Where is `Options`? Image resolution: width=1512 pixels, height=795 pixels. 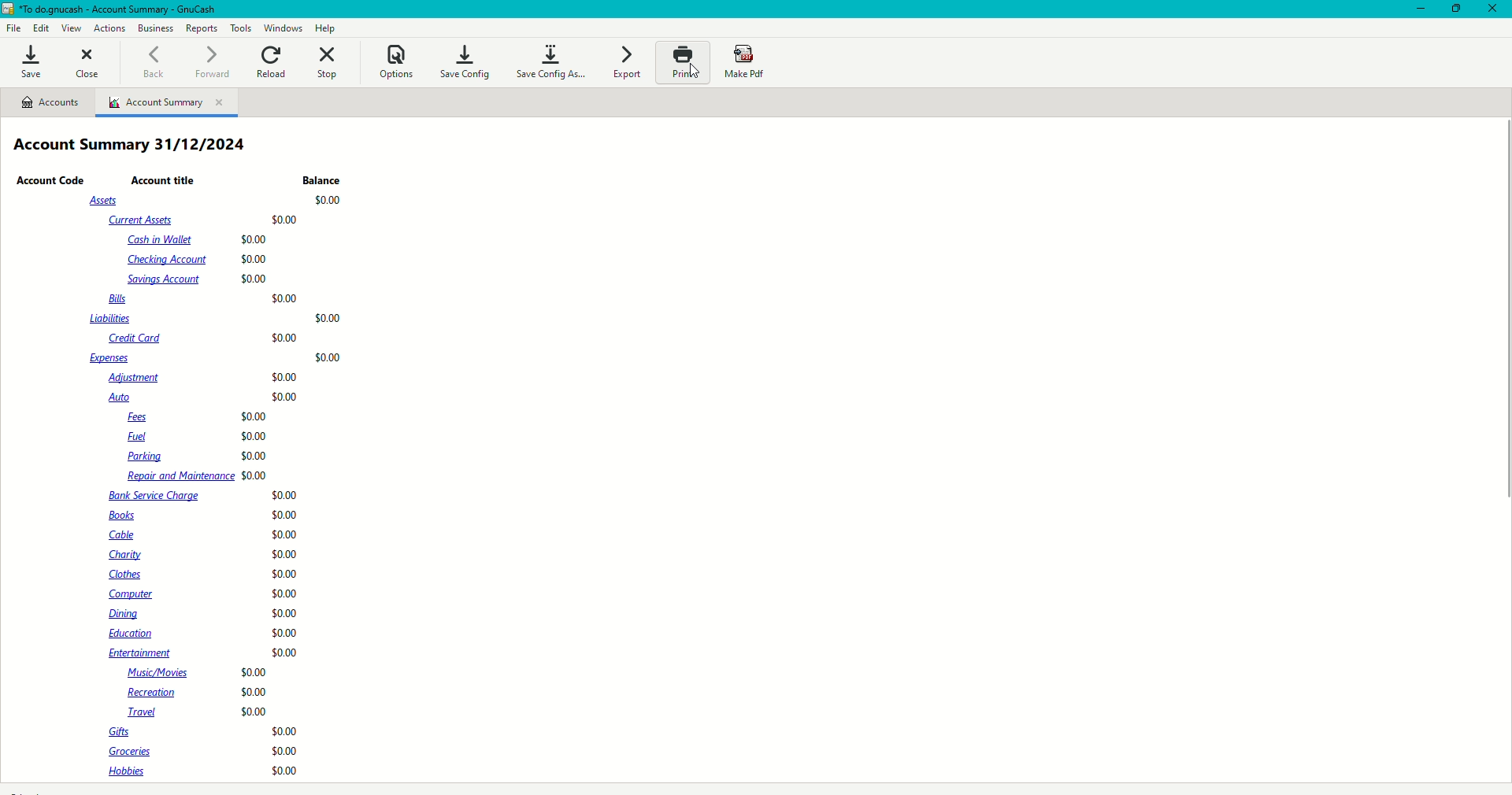
Options is located at coordinates (396, 61).